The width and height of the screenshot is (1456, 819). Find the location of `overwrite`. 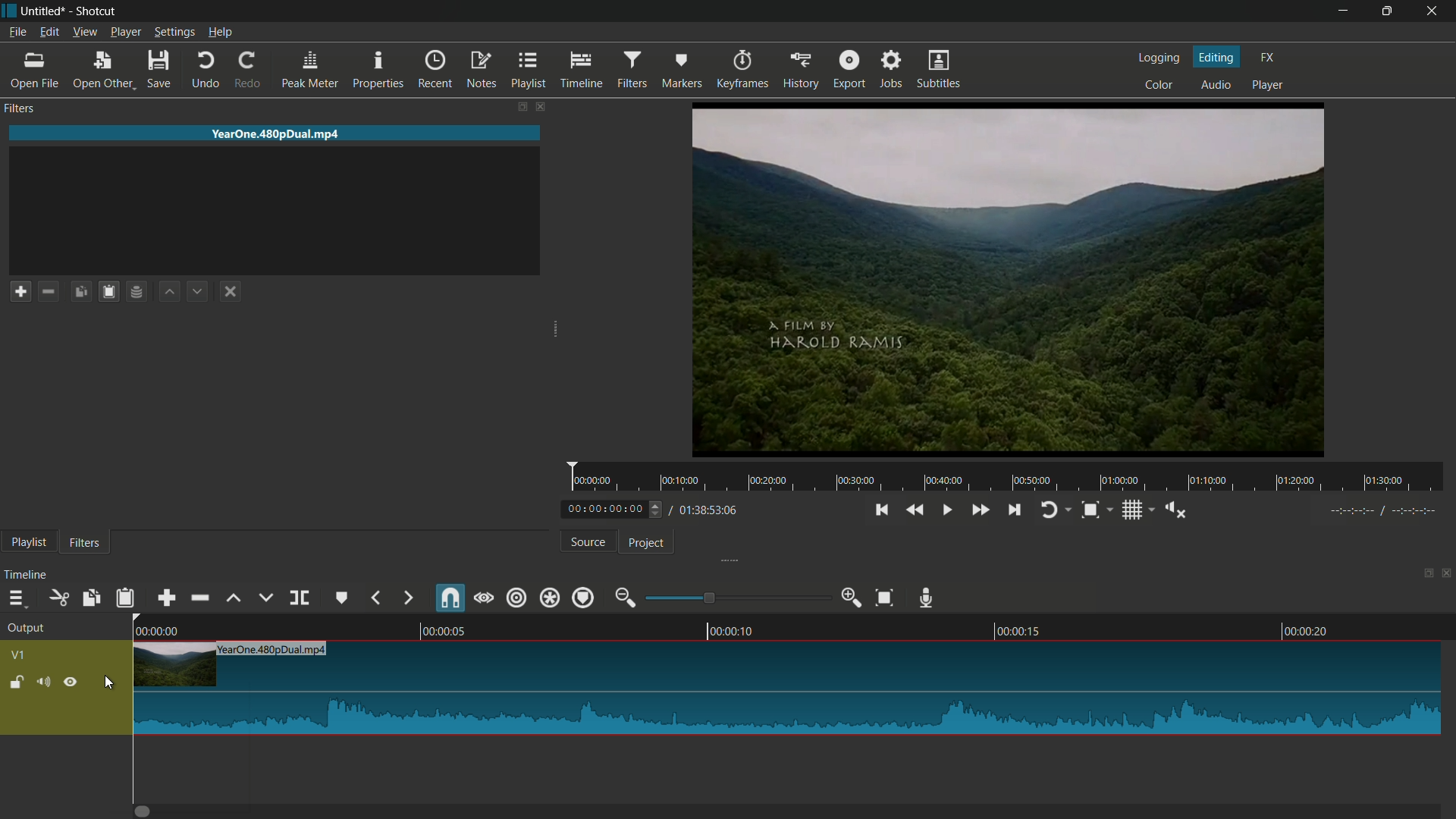

overwrite is located at coordinates (265, 598).